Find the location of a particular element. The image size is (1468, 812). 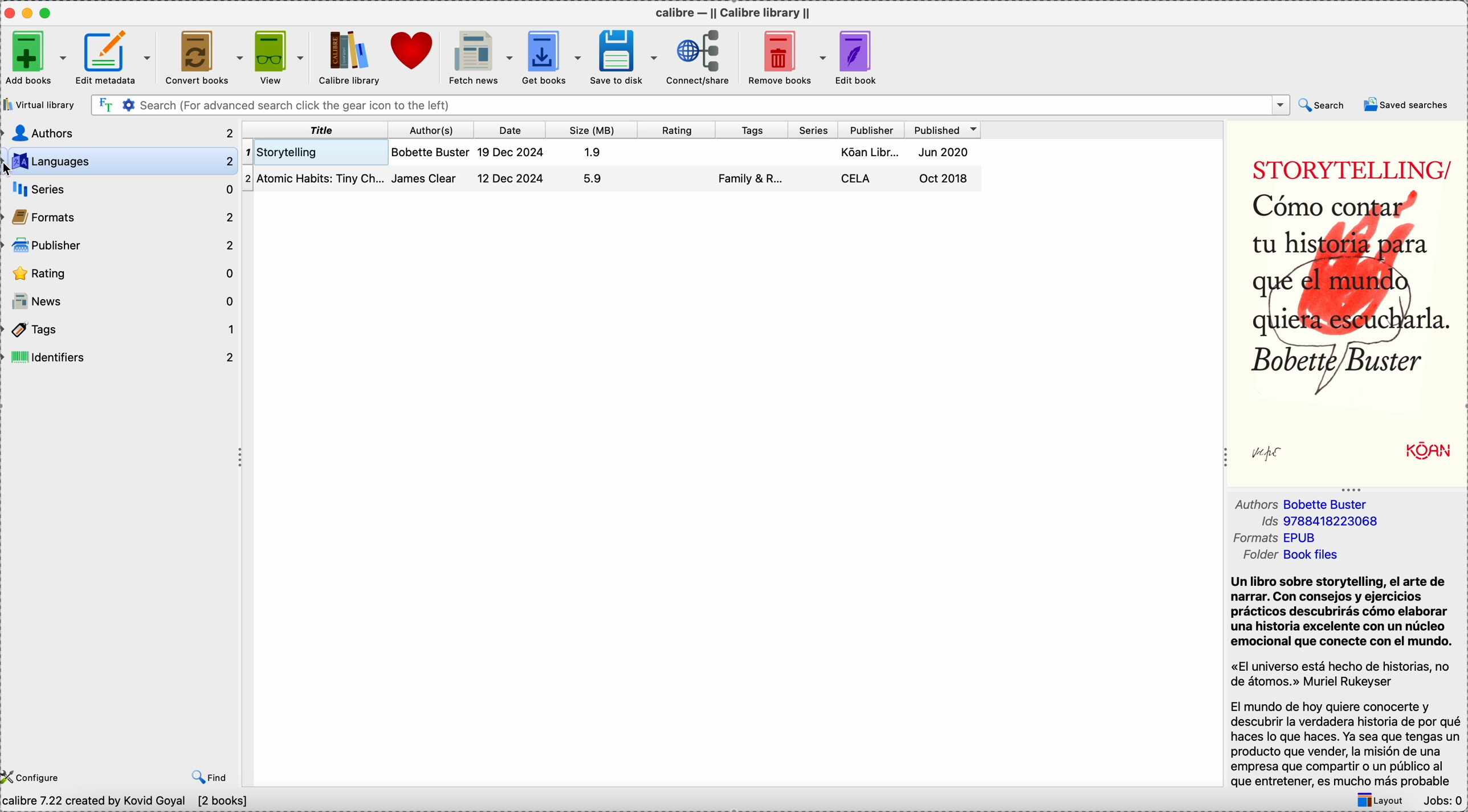

layout is located at coordinates (1383, 801).